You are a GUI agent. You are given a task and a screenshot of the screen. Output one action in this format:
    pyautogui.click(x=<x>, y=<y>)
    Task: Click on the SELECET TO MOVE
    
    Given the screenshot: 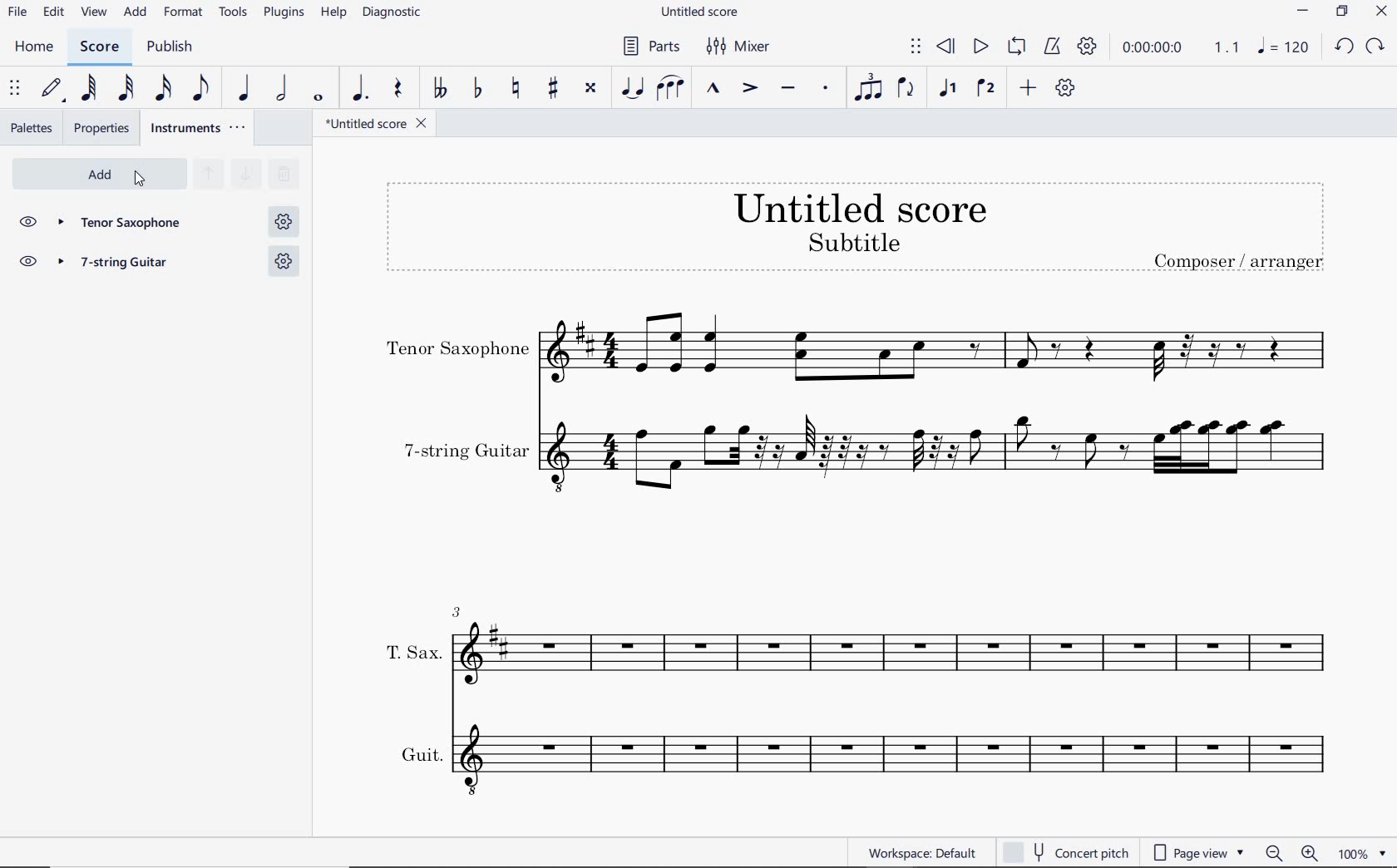 What is the action you would take?
    pyautogui.click(x=15, y=89)
    